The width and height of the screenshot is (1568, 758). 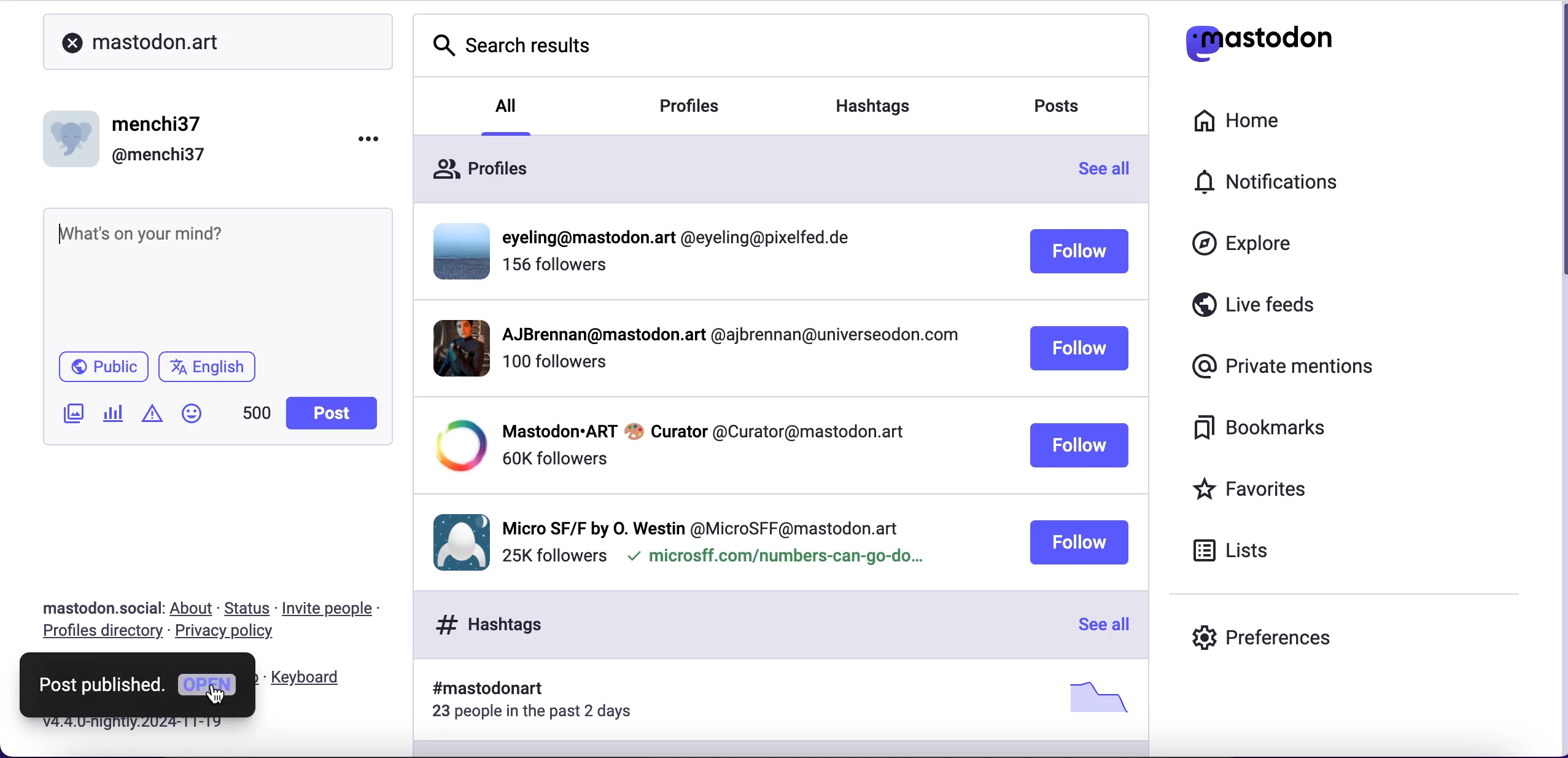 What do you see at coordinates (1256, 185) in the screenshot?
I see `notifications` at bounding box center [1256, 185].